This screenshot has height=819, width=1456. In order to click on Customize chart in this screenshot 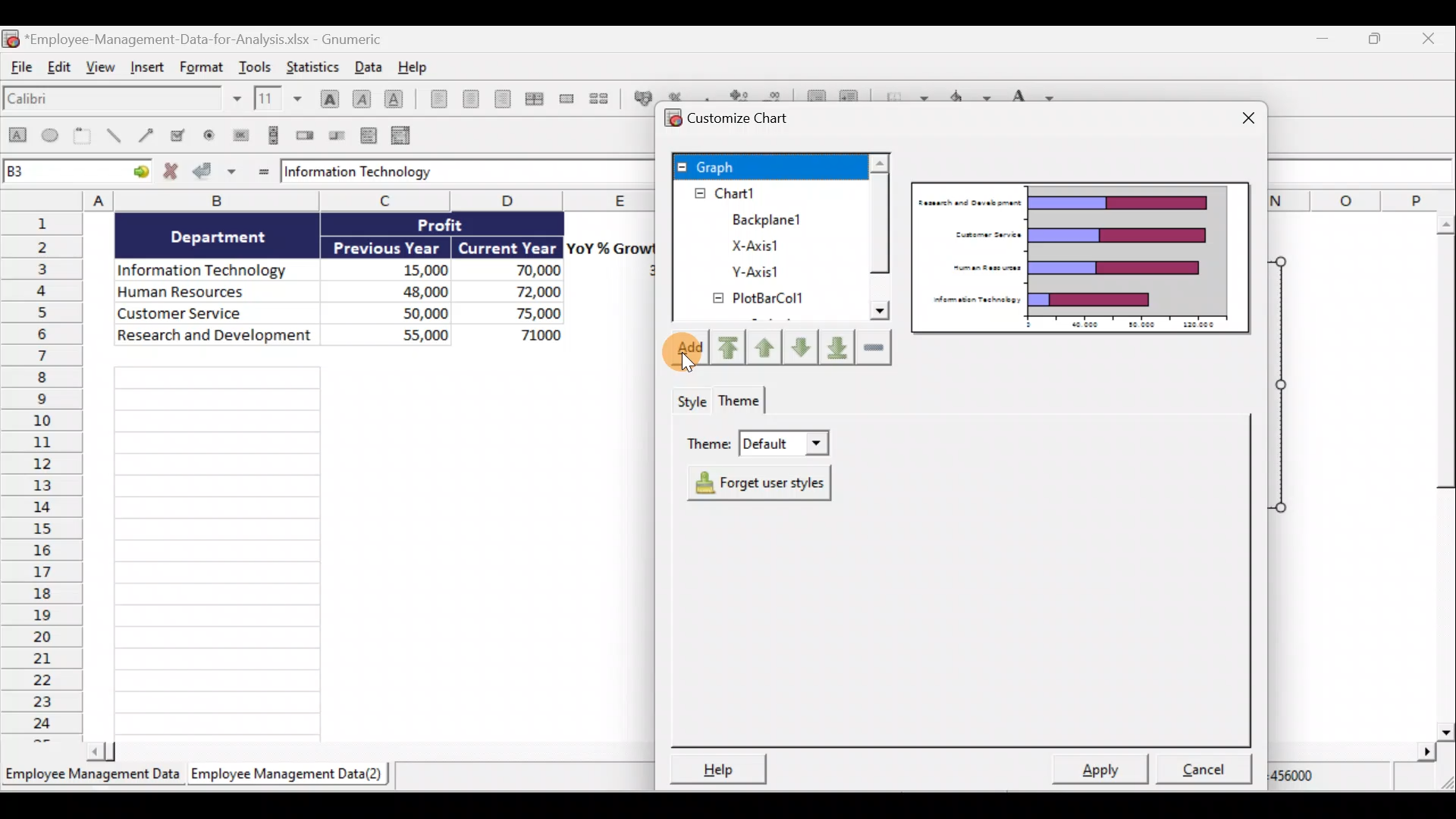, I will do `click(740, 120)`.